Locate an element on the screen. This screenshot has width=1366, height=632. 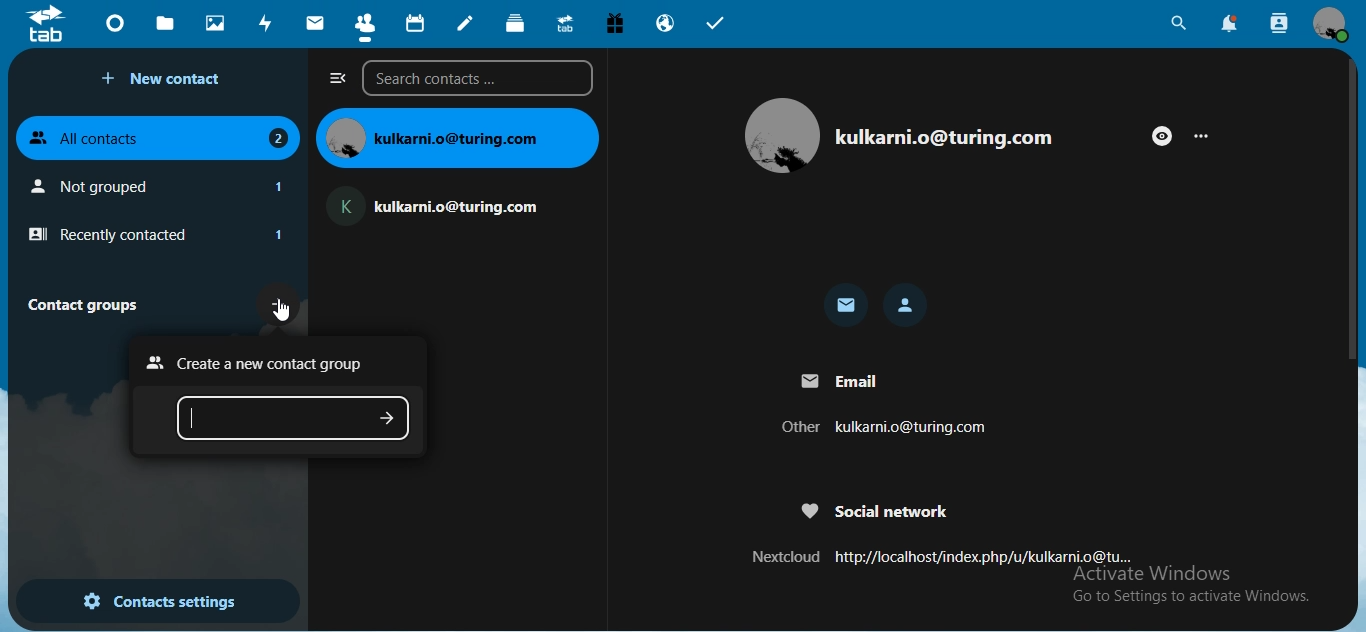
profile picture is located at coordinates (782, 137).